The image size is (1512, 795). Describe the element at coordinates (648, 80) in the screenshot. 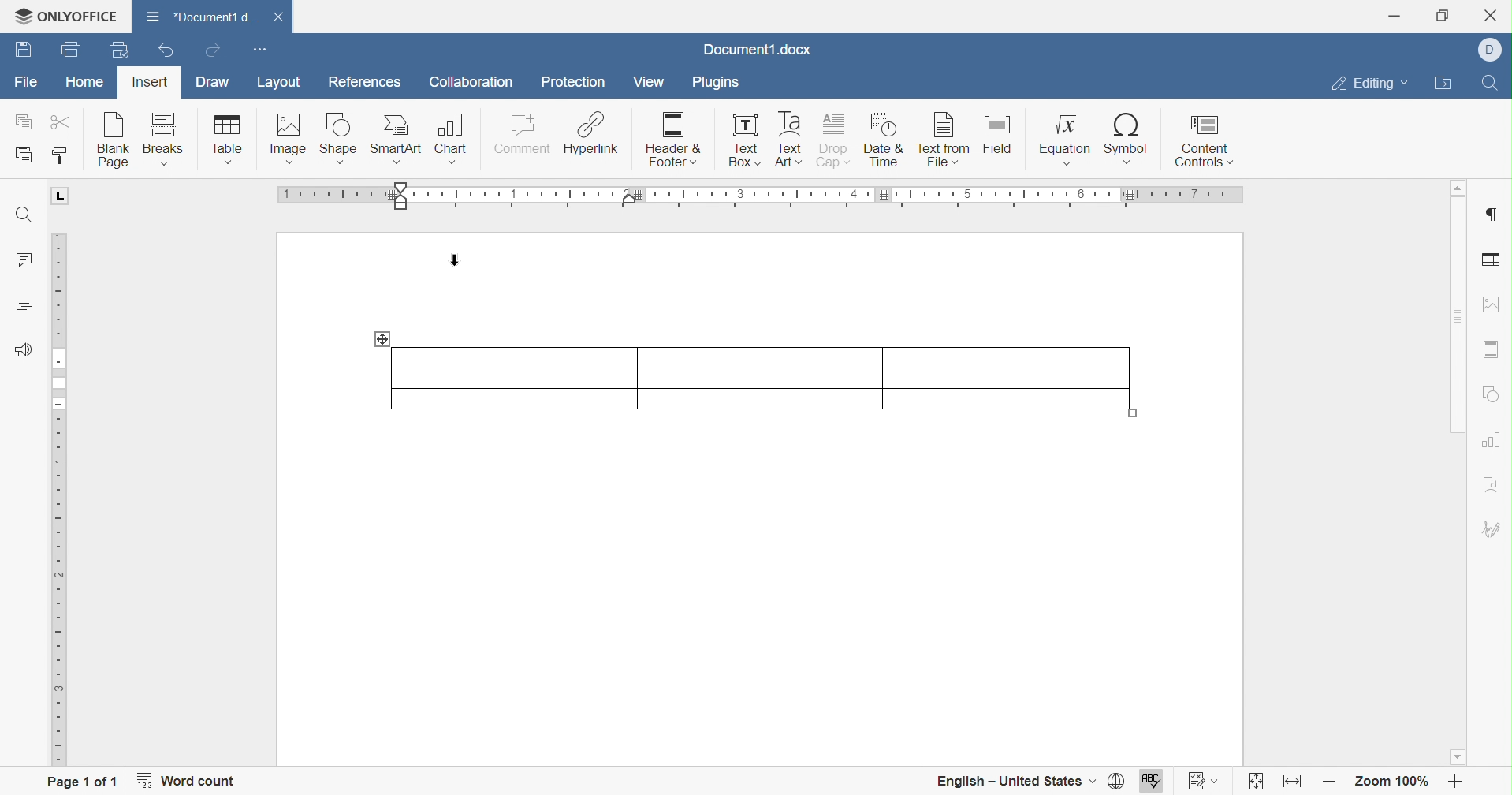

I see `View` at that location.